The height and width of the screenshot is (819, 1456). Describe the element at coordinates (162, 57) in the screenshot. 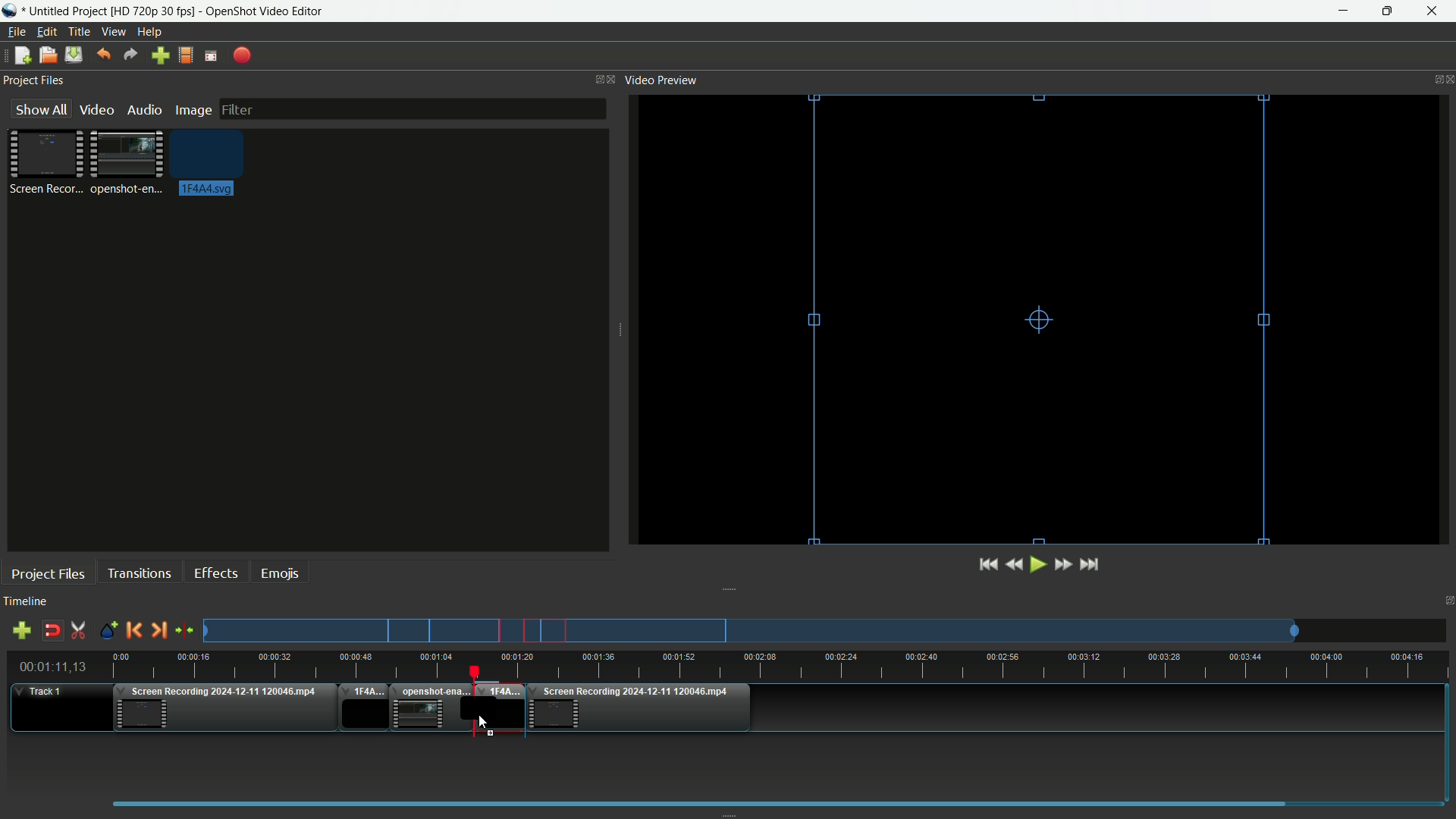

I see `Import` at that location.